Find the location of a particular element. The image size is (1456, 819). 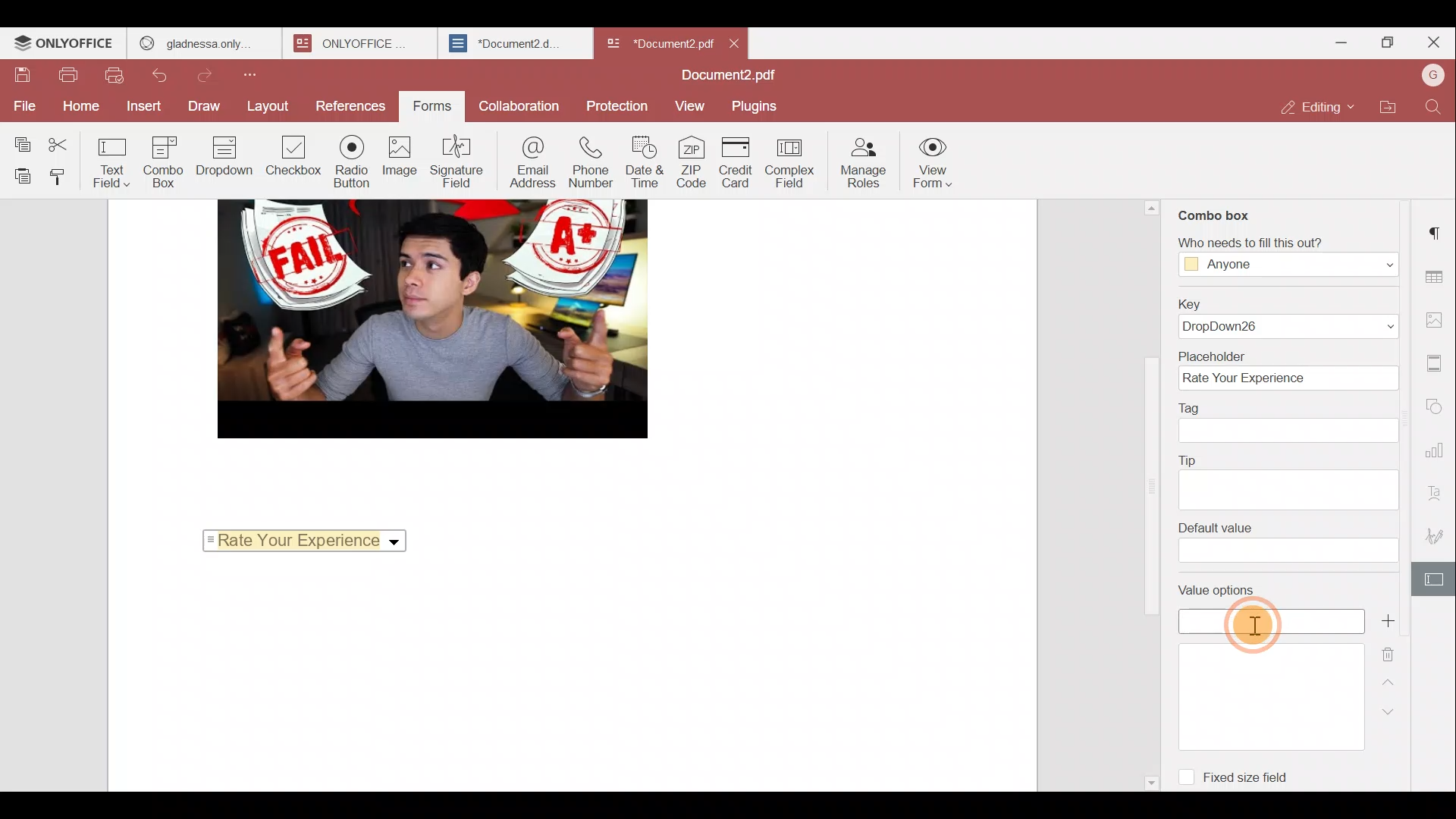

ONLYOFFICE is located at coordinates (64, 45).